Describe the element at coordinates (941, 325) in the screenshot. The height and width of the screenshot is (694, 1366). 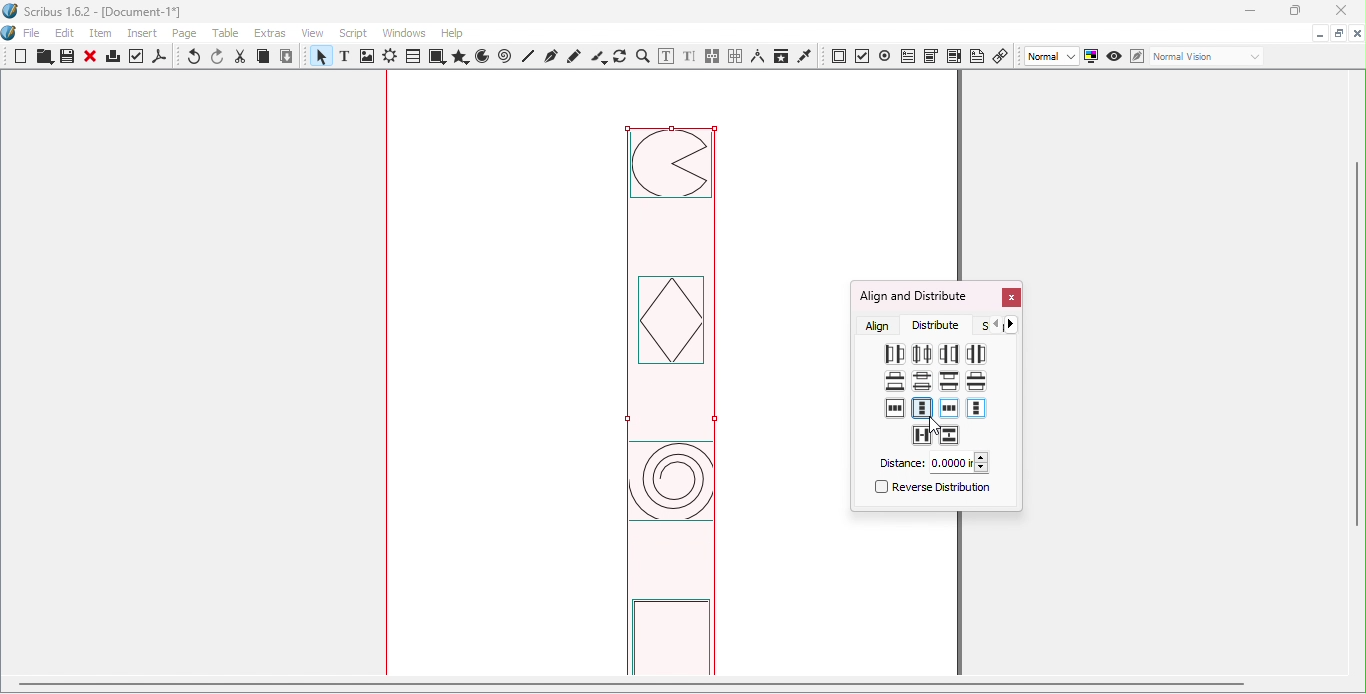
I see `Distribute` at that location.